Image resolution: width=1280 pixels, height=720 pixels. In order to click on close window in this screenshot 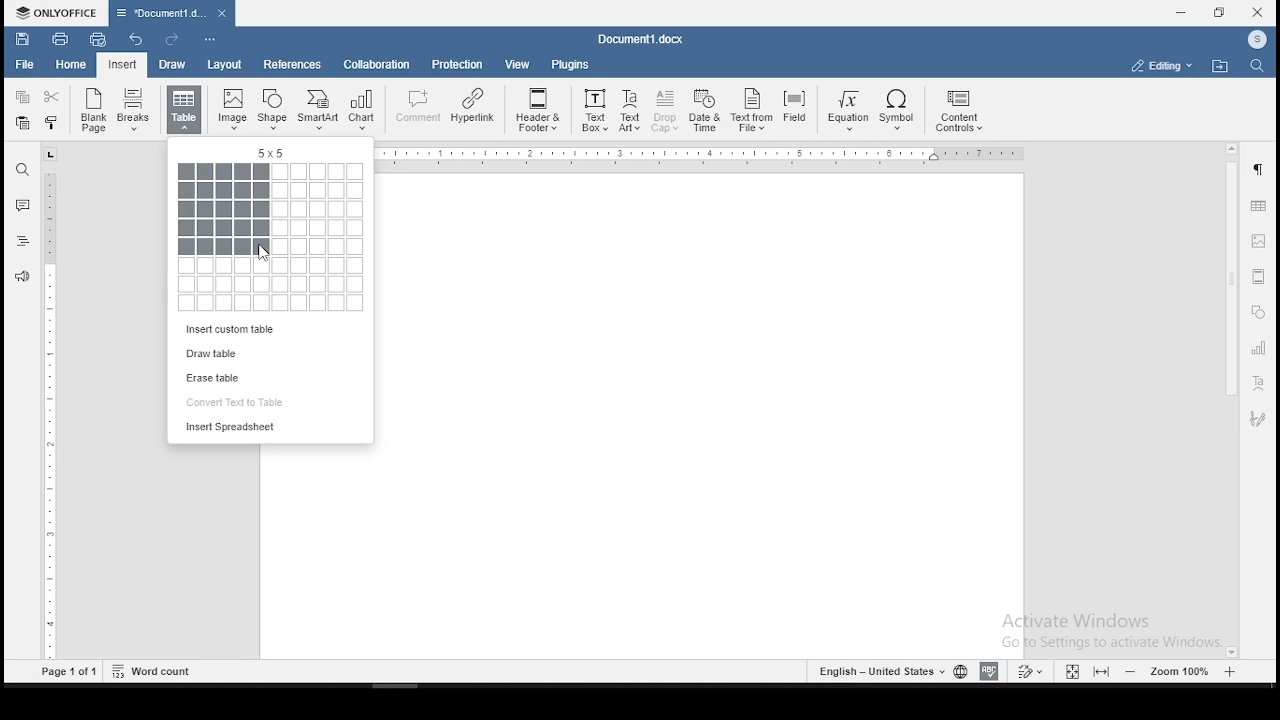, I will do `click(1257, 13)`.